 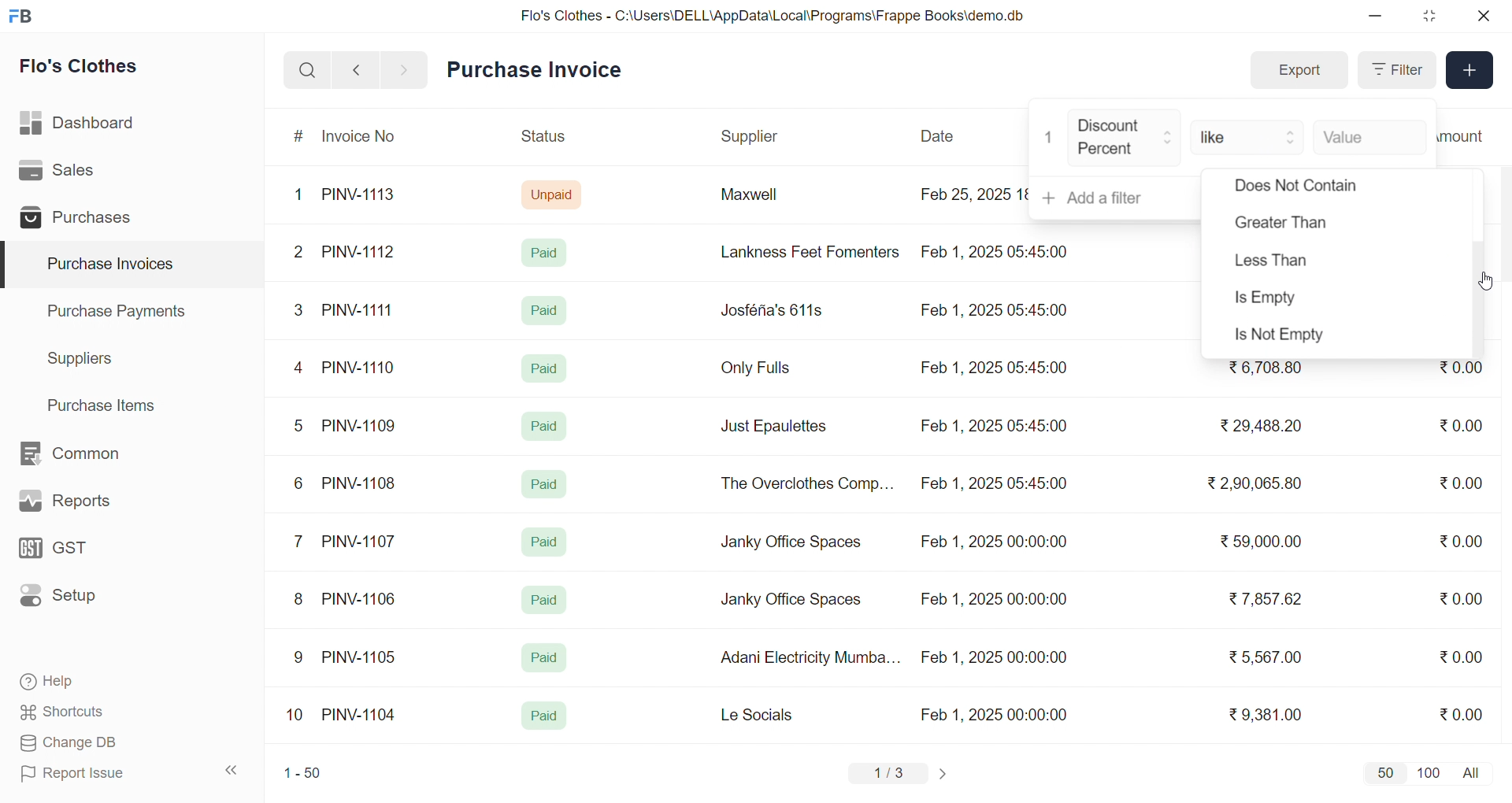 What do you see at coordinates (812, 658) in the screenshot?
I see `Adani Electricity Mumba...` at bounding box center [812, 658].